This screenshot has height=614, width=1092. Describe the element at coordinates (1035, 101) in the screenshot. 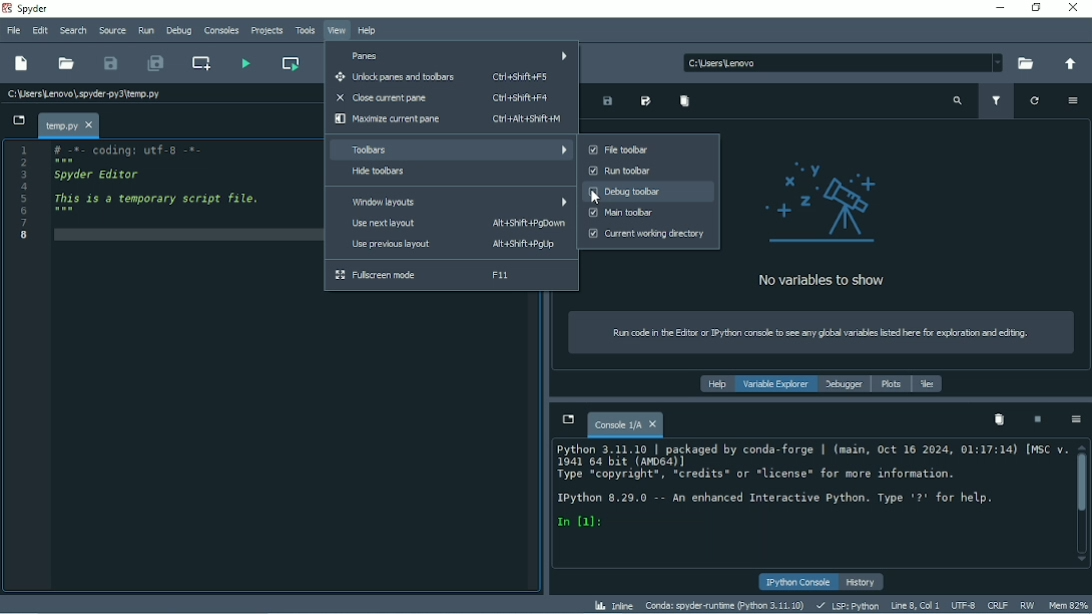

I see `Refresh variables` at that location.